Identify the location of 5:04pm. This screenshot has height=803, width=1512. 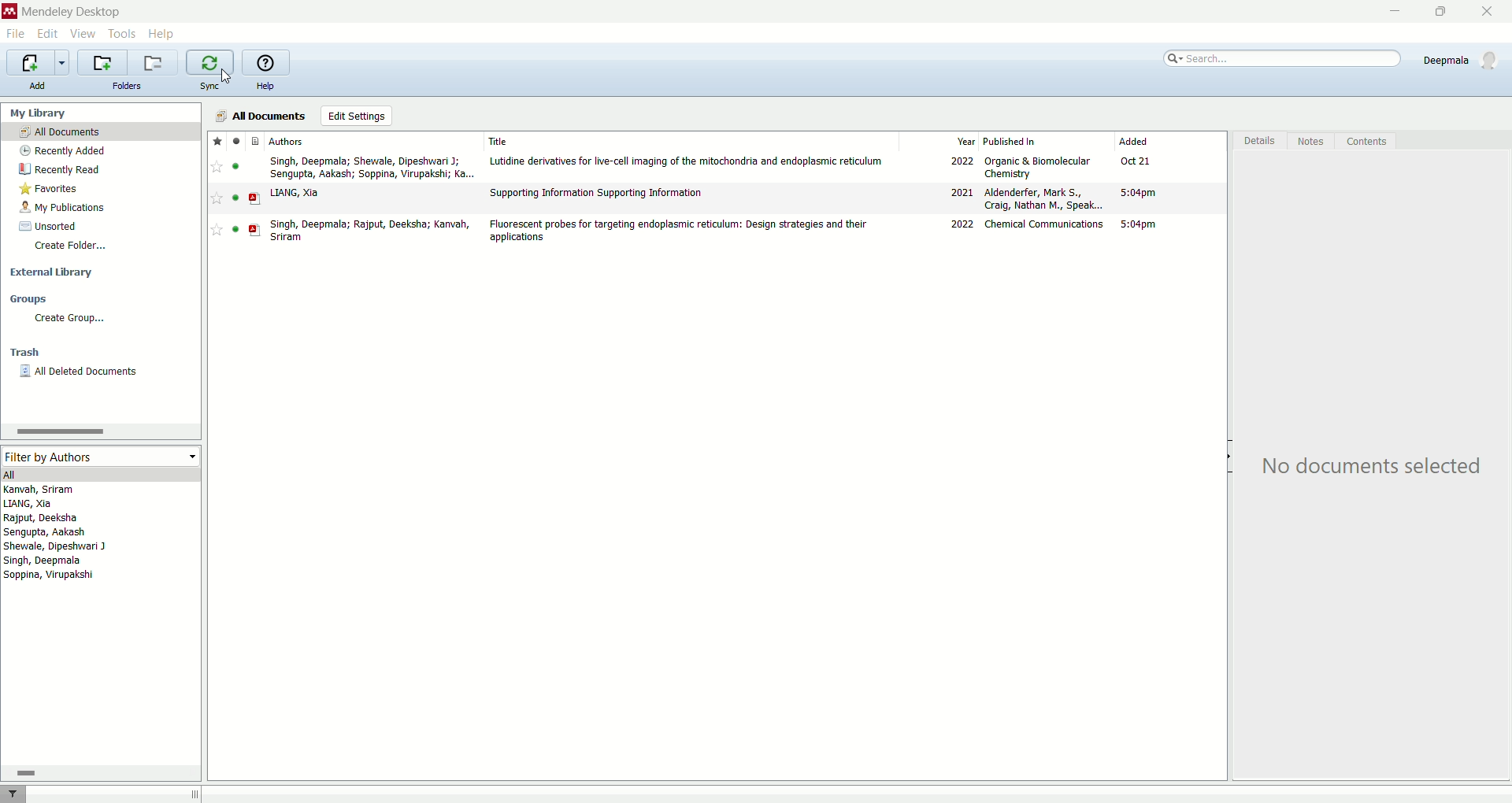
(1139, 225).